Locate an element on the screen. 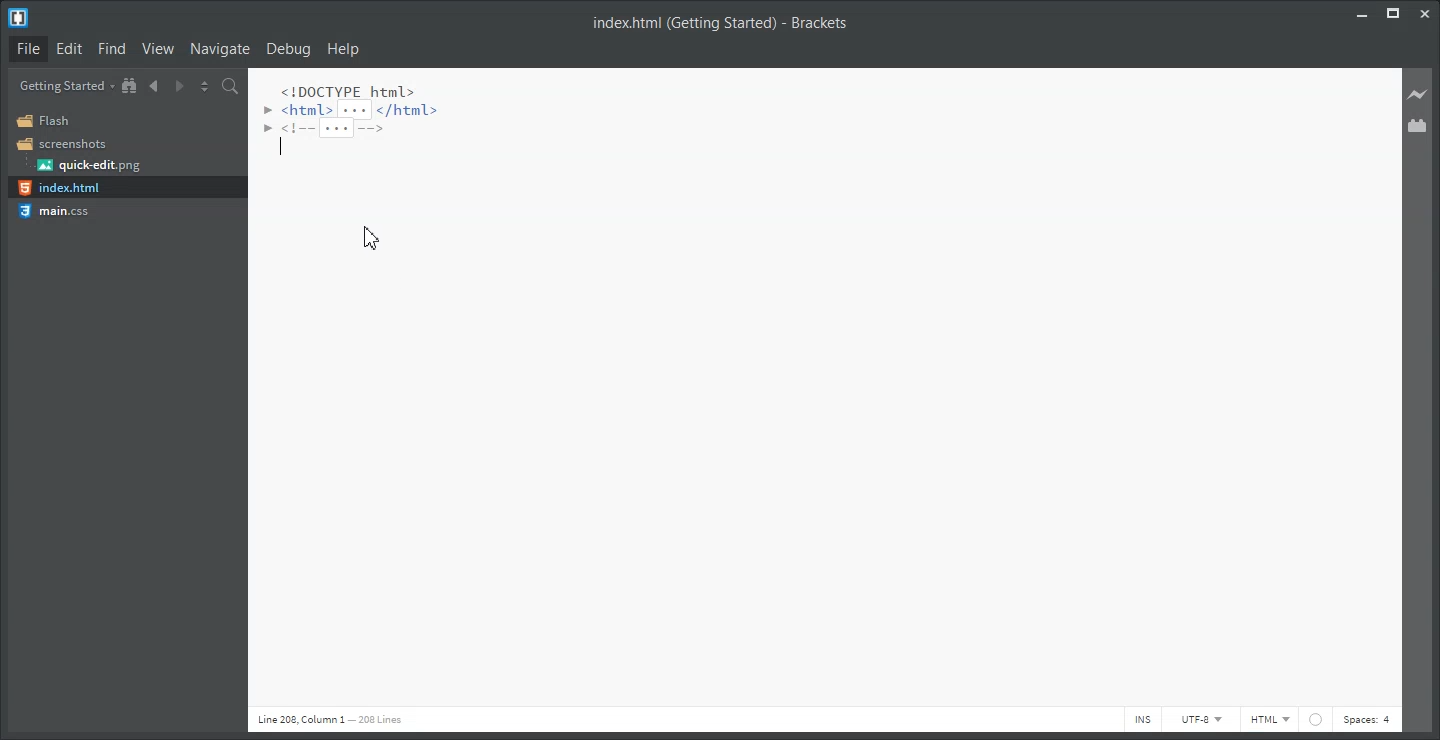 The height and width of the screenshot is (740, 1440). Extension Manager is located at coordinates (1417, 126).